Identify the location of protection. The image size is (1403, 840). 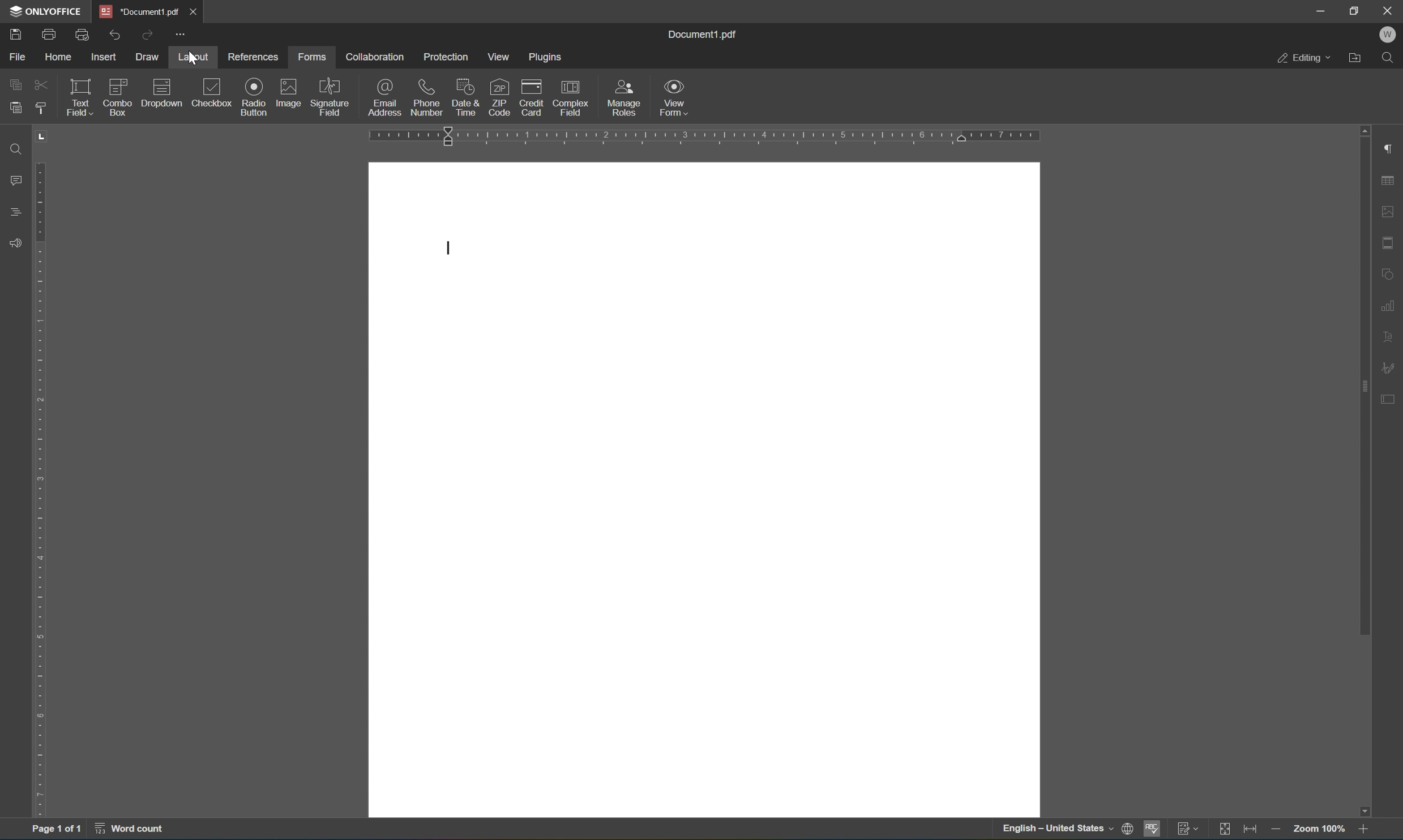
(446, 55).